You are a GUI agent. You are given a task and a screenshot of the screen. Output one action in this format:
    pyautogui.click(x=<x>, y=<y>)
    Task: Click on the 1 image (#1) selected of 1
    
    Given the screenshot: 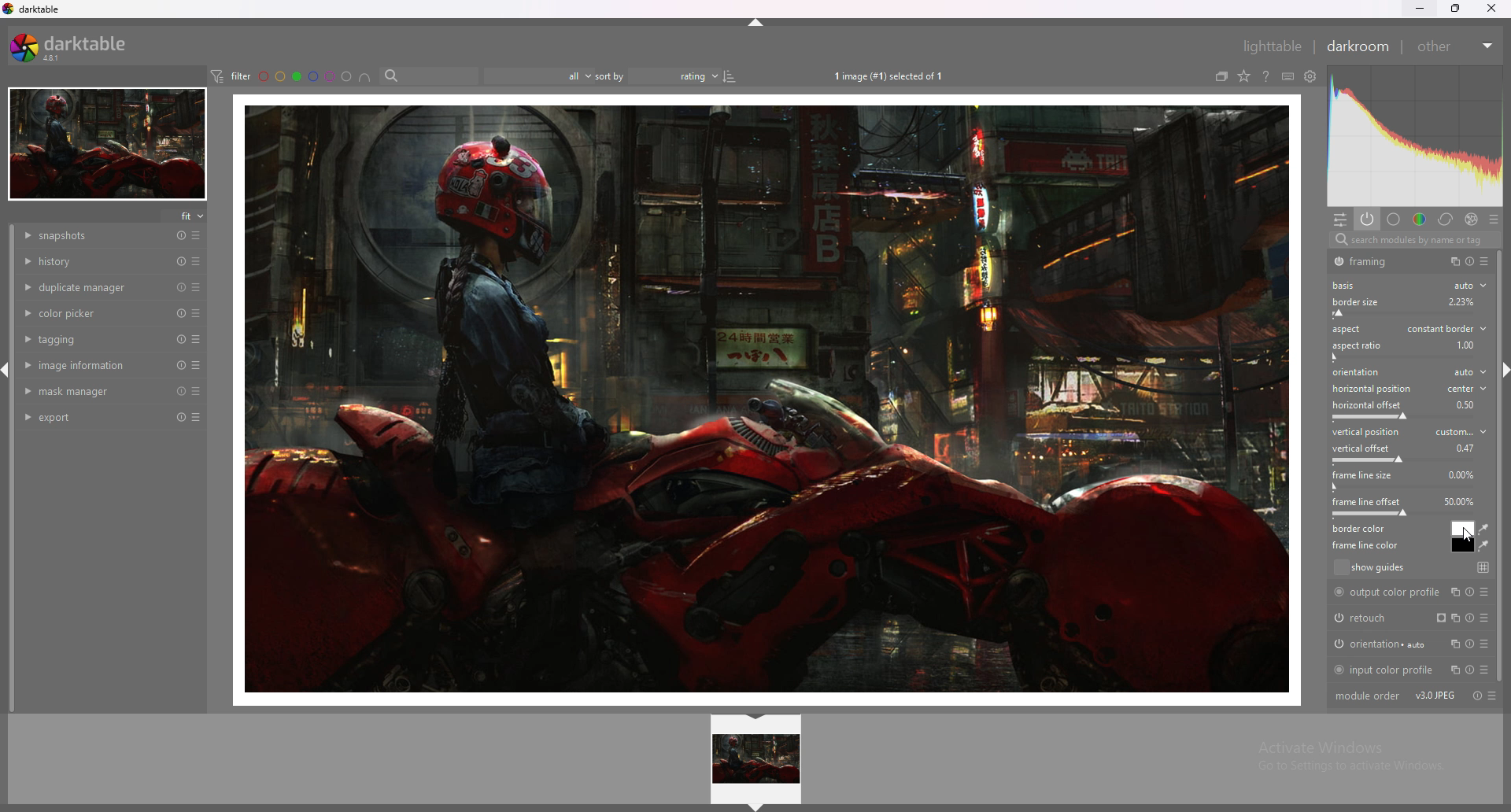 What is the action you would take?
    pyautogui.click(x=889, y=76)
    